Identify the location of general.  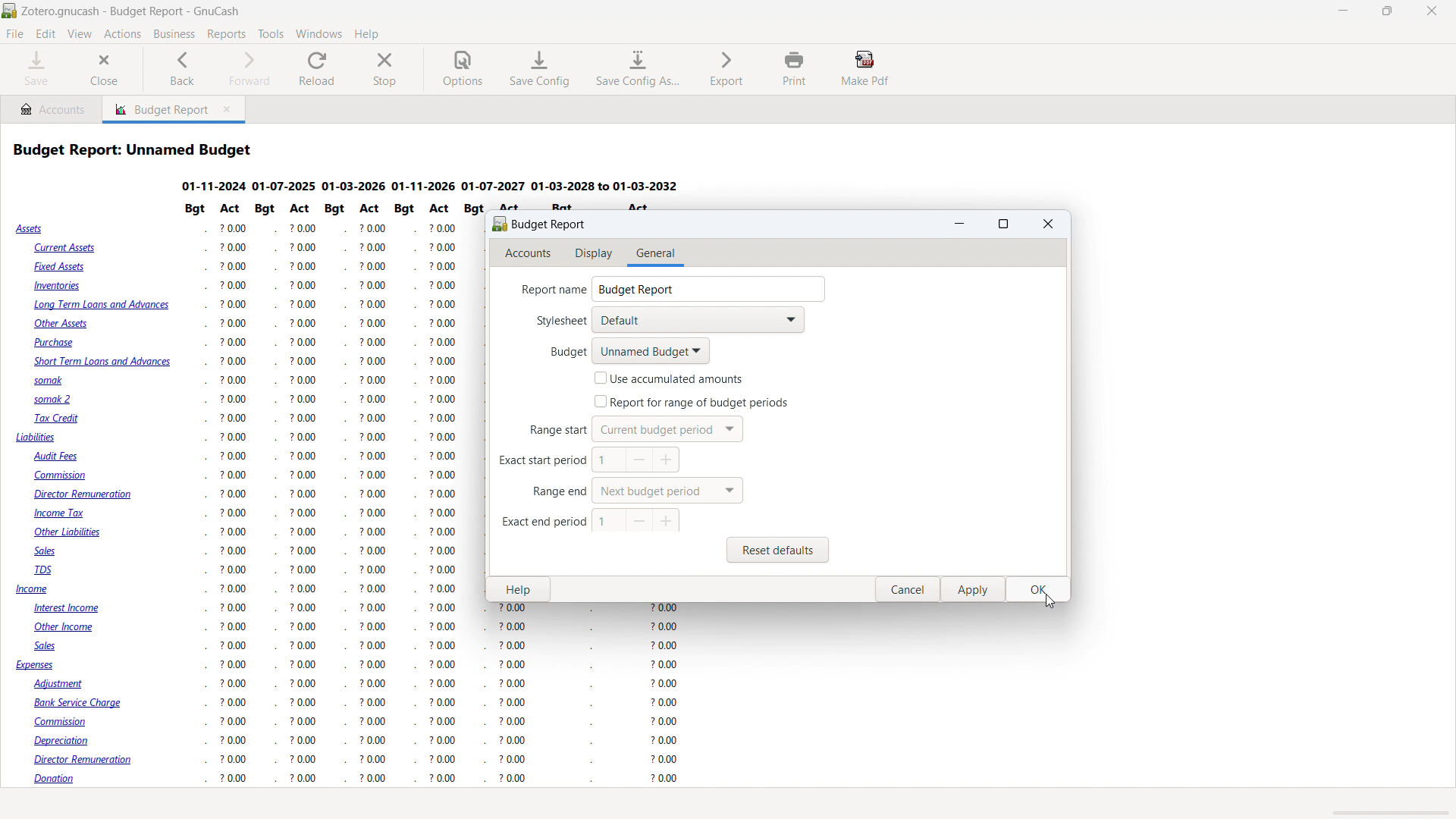
(654, 254).